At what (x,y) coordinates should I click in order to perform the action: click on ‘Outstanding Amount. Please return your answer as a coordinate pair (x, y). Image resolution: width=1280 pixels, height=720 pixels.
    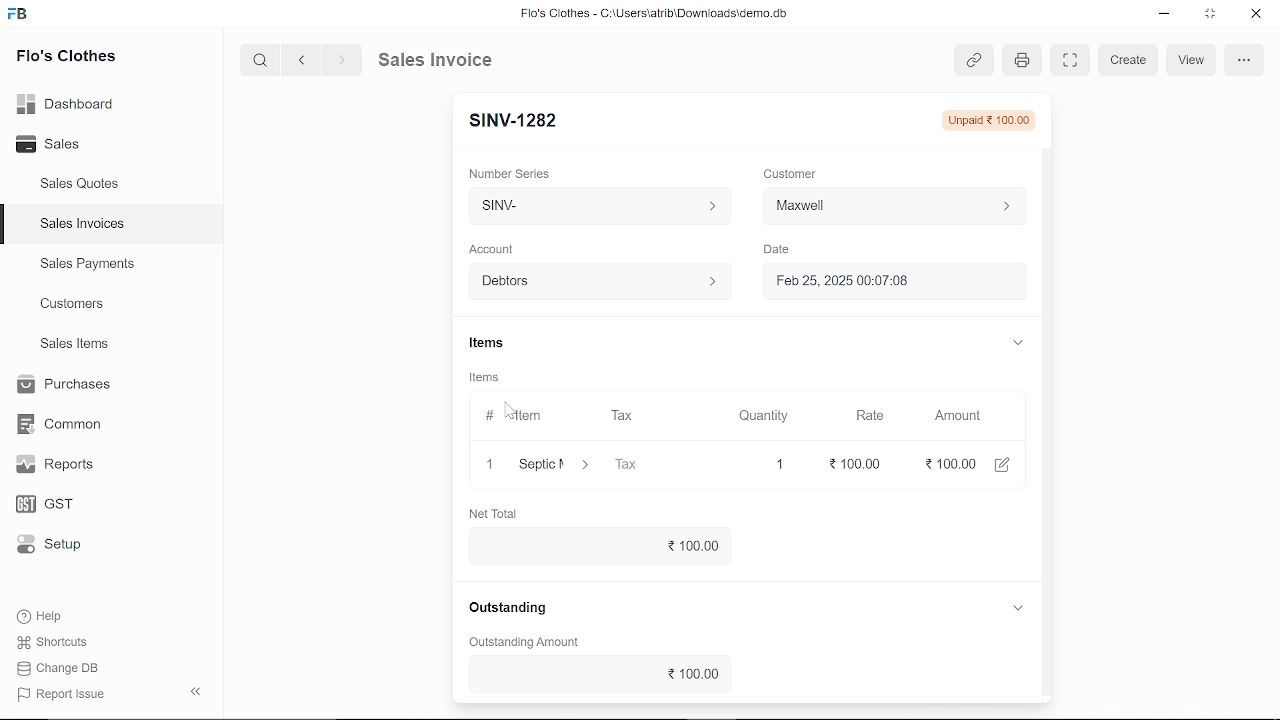
    Looking at the image, I should click on (524, 642).